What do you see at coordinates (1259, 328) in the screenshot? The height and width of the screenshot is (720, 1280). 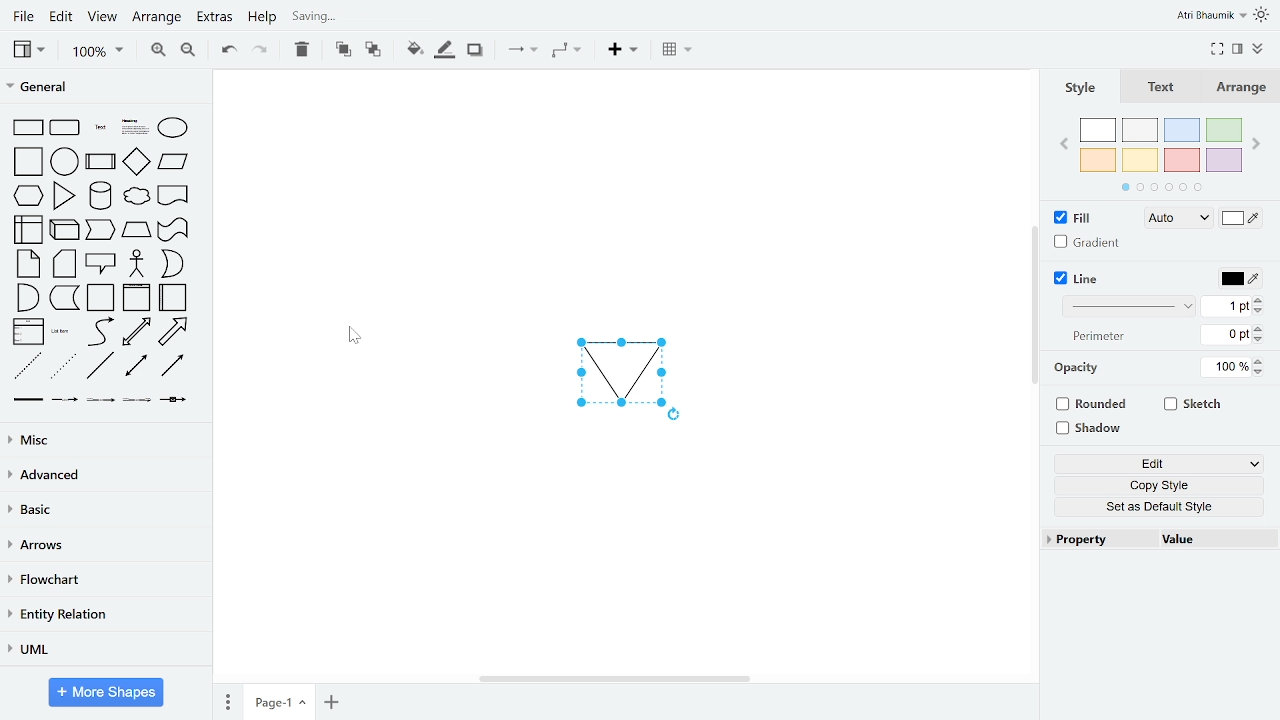 I see `increase perimeter` at bounding box center [1259, 328].